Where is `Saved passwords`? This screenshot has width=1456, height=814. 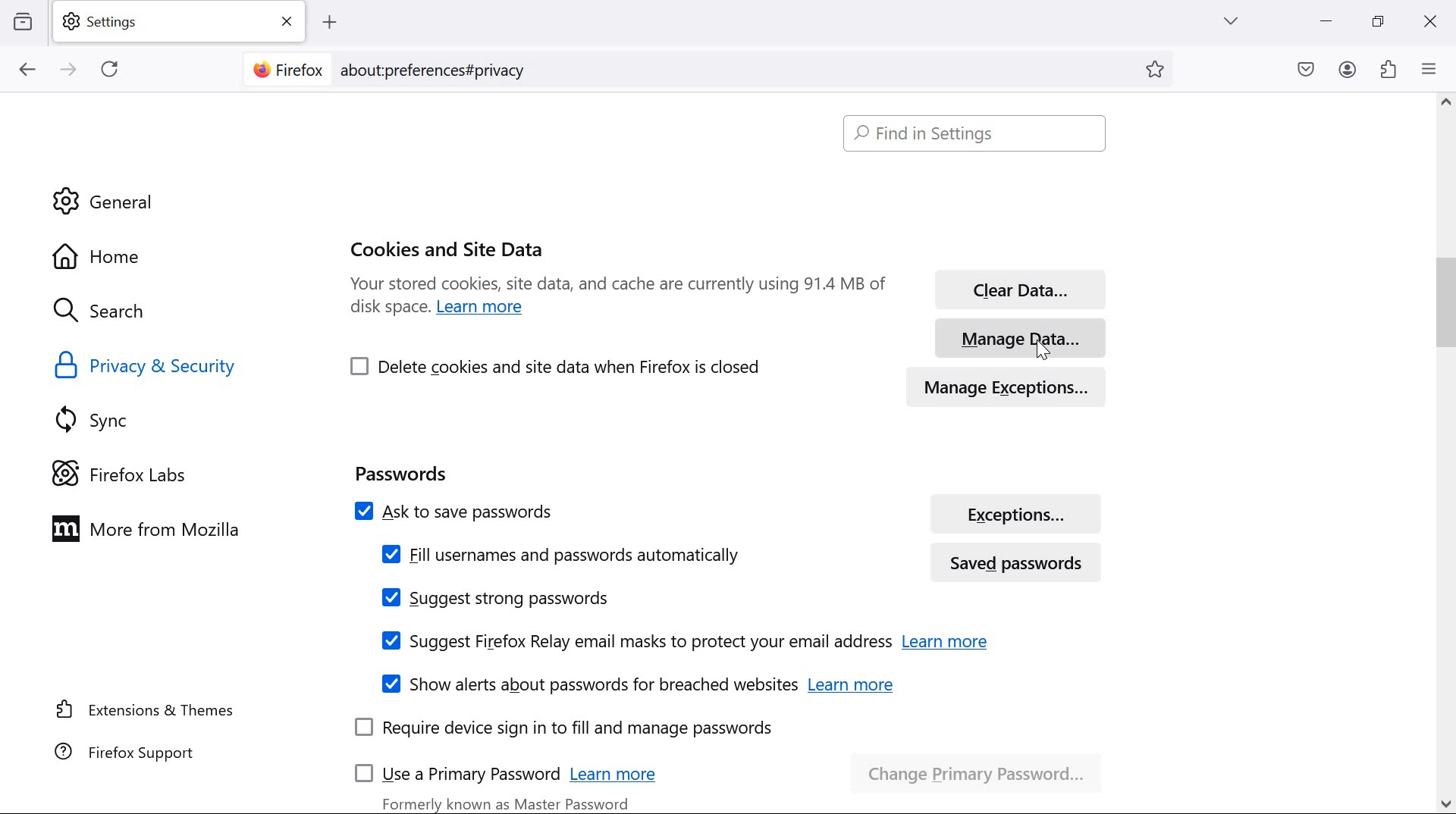 Saved passwords is located at coordinates (1022, 561).